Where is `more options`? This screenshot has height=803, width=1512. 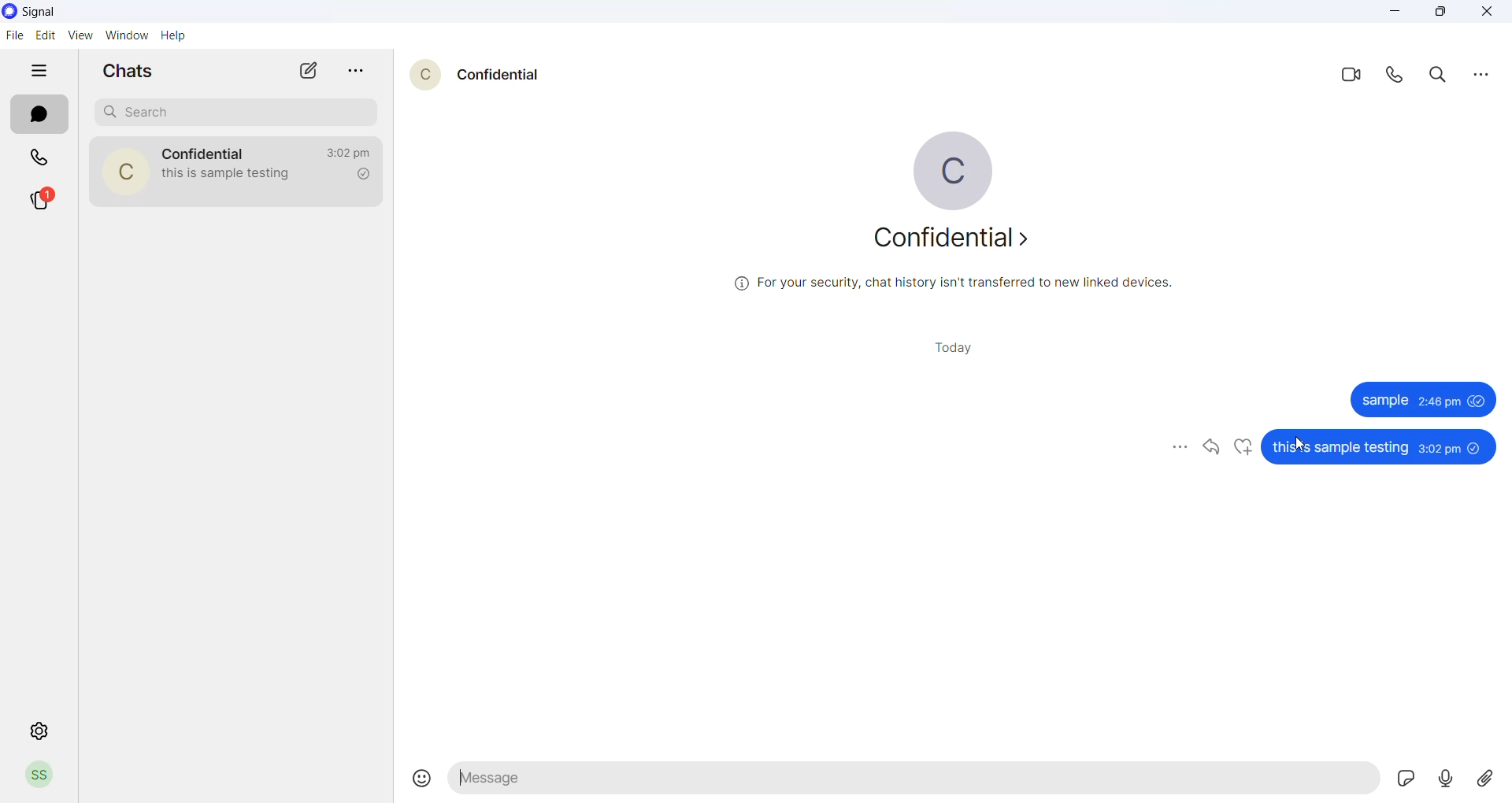 more options is located at coordinates (1481, 76).